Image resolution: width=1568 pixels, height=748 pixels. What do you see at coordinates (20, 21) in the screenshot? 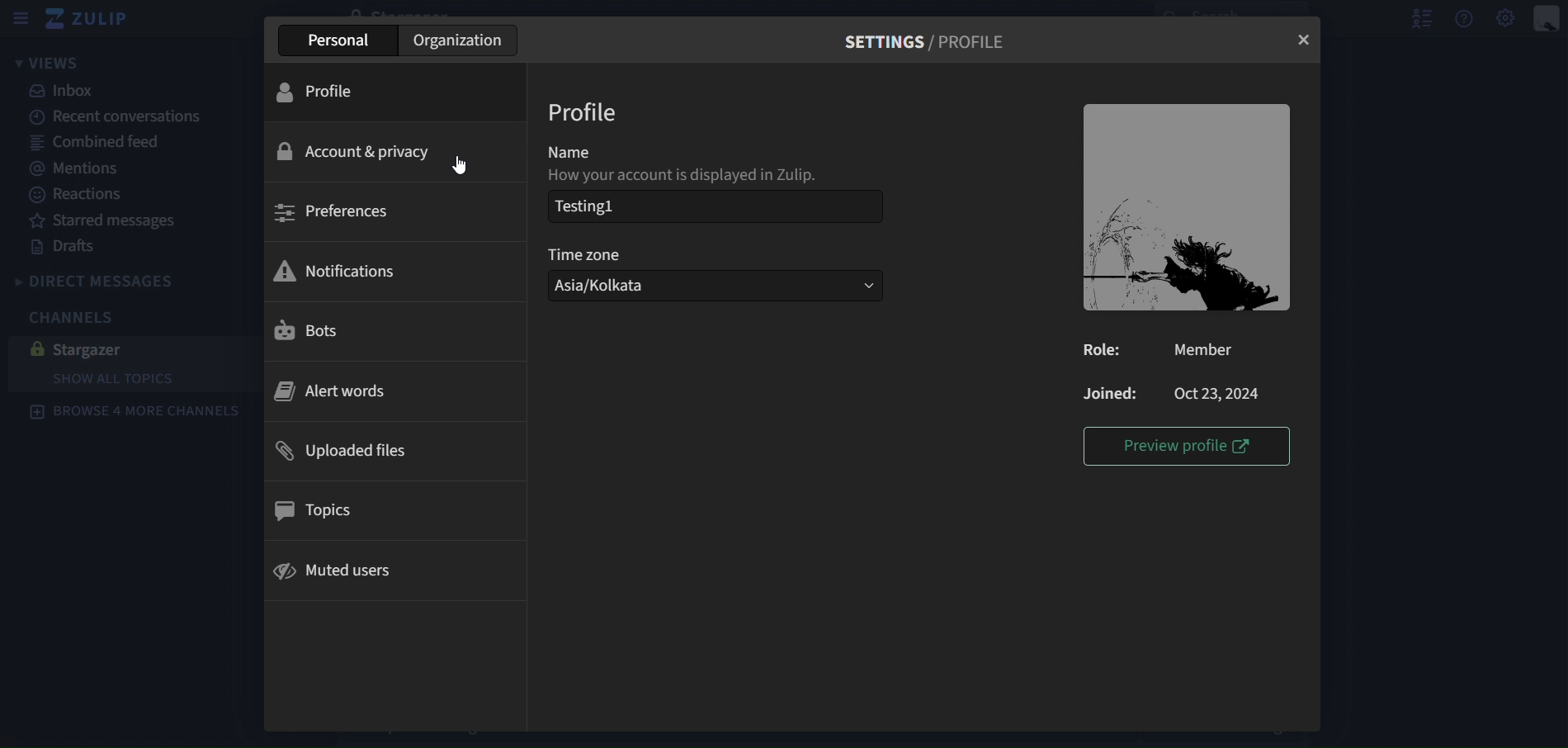
I see `sidebar` at bounding box center [20, 21].